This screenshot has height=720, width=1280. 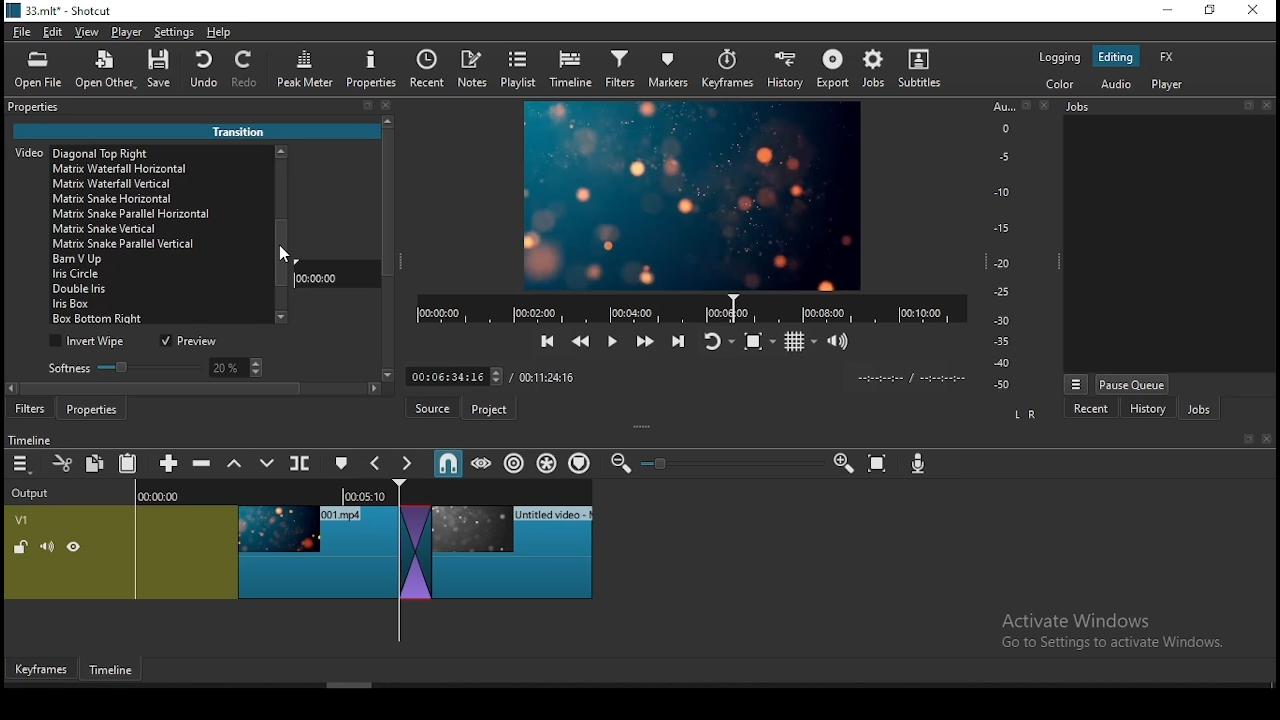 I want to click on menu, so click(x=21, y=464).